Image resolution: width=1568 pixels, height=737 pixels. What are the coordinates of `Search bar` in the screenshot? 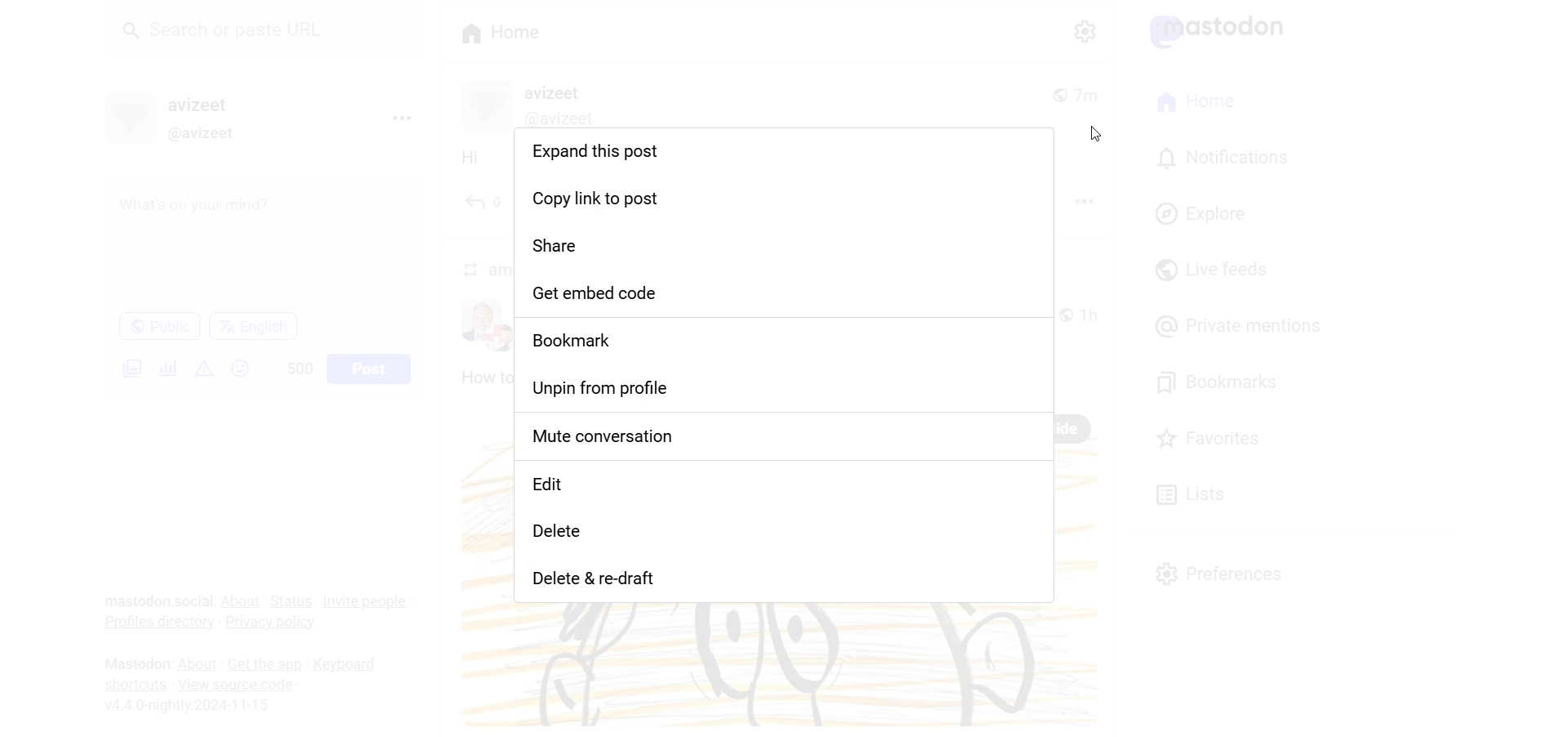 It's located at (270, 35).